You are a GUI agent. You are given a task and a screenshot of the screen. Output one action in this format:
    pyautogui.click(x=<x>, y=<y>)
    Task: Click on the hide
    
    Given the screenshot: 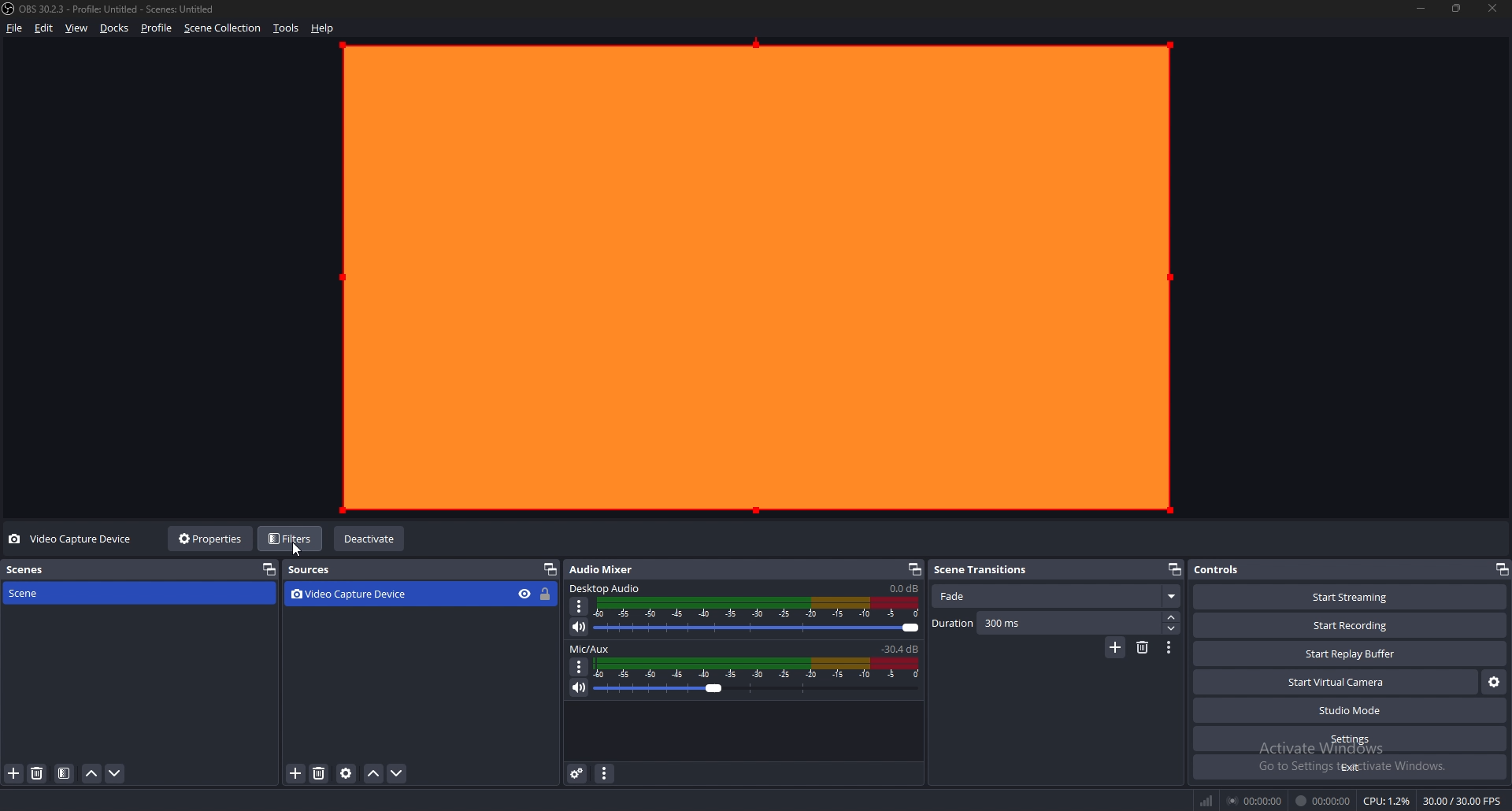 What is the action you would take?
    pyautogui.click(x=524, y=594)
    